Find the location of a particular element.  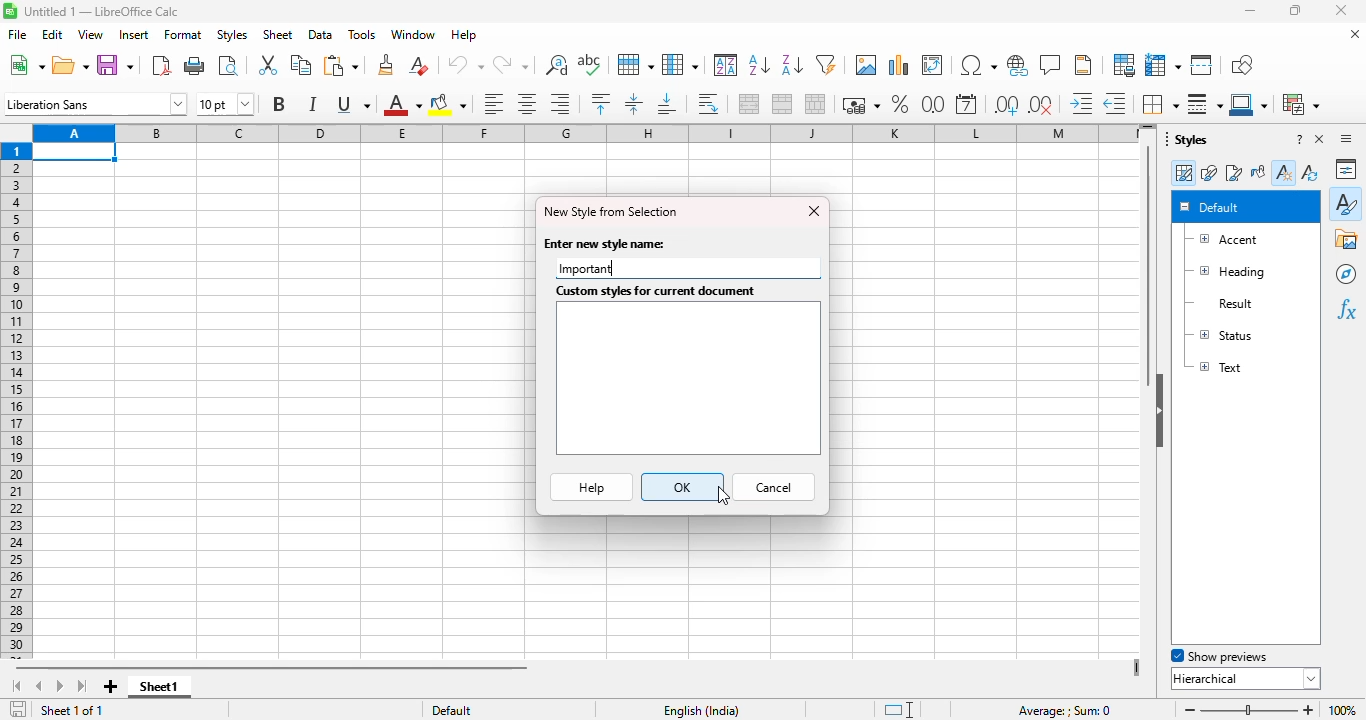

align bottom is located at coordinates (665, 104).